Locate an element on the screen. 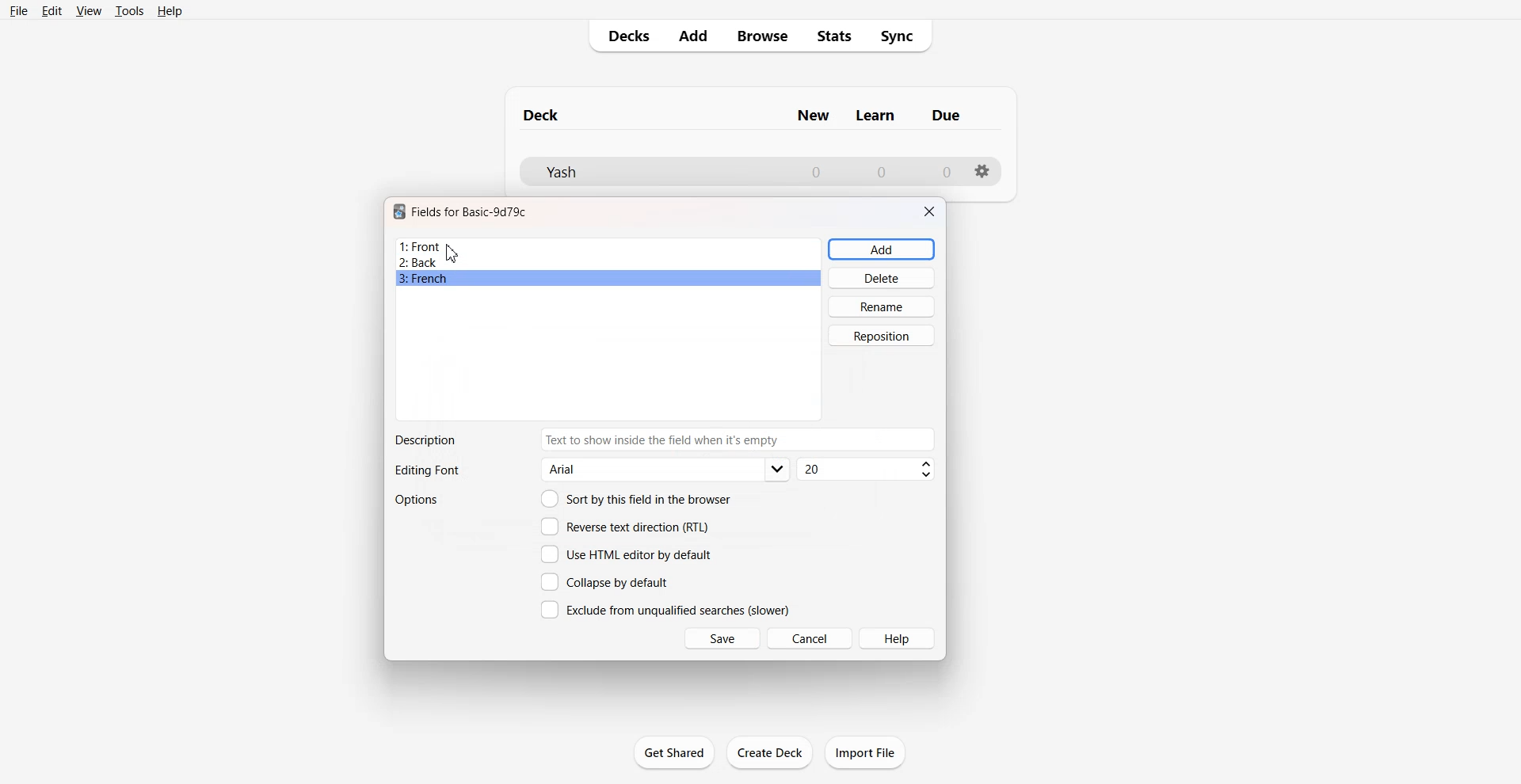  File is located at coordinates (17, 10).